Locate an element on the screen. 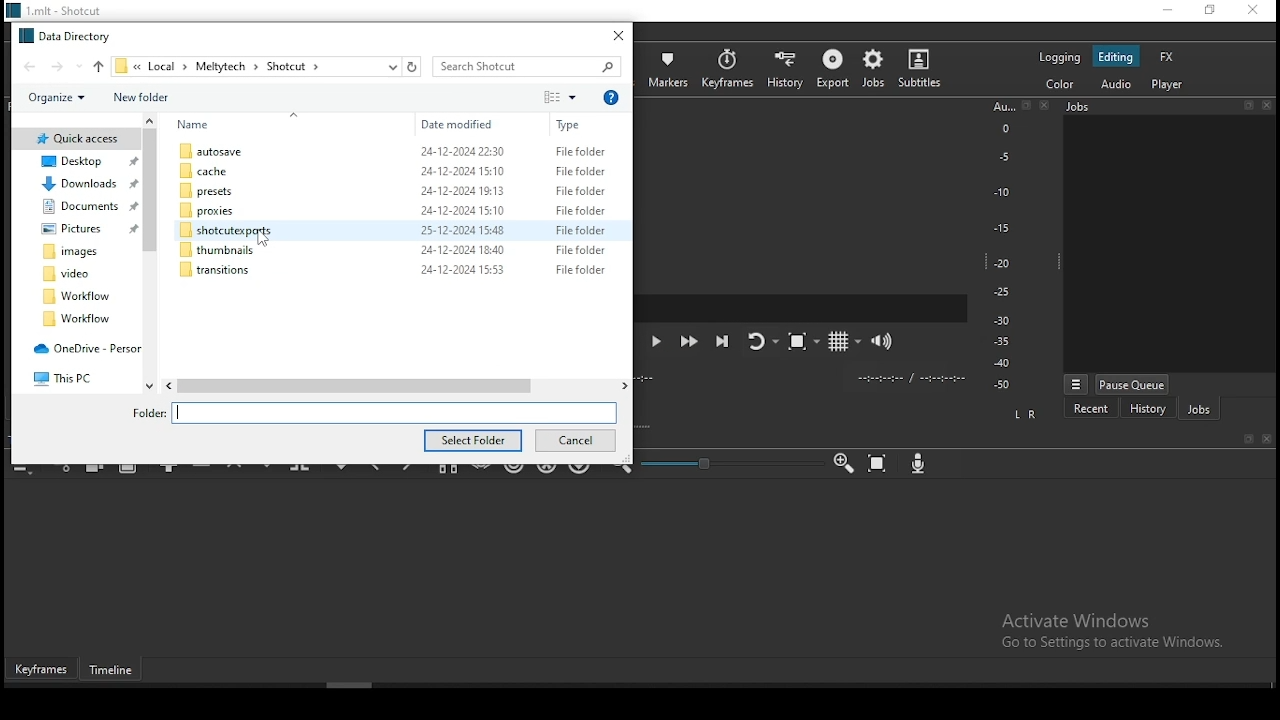  restore is located at coordinates (1209, 11).